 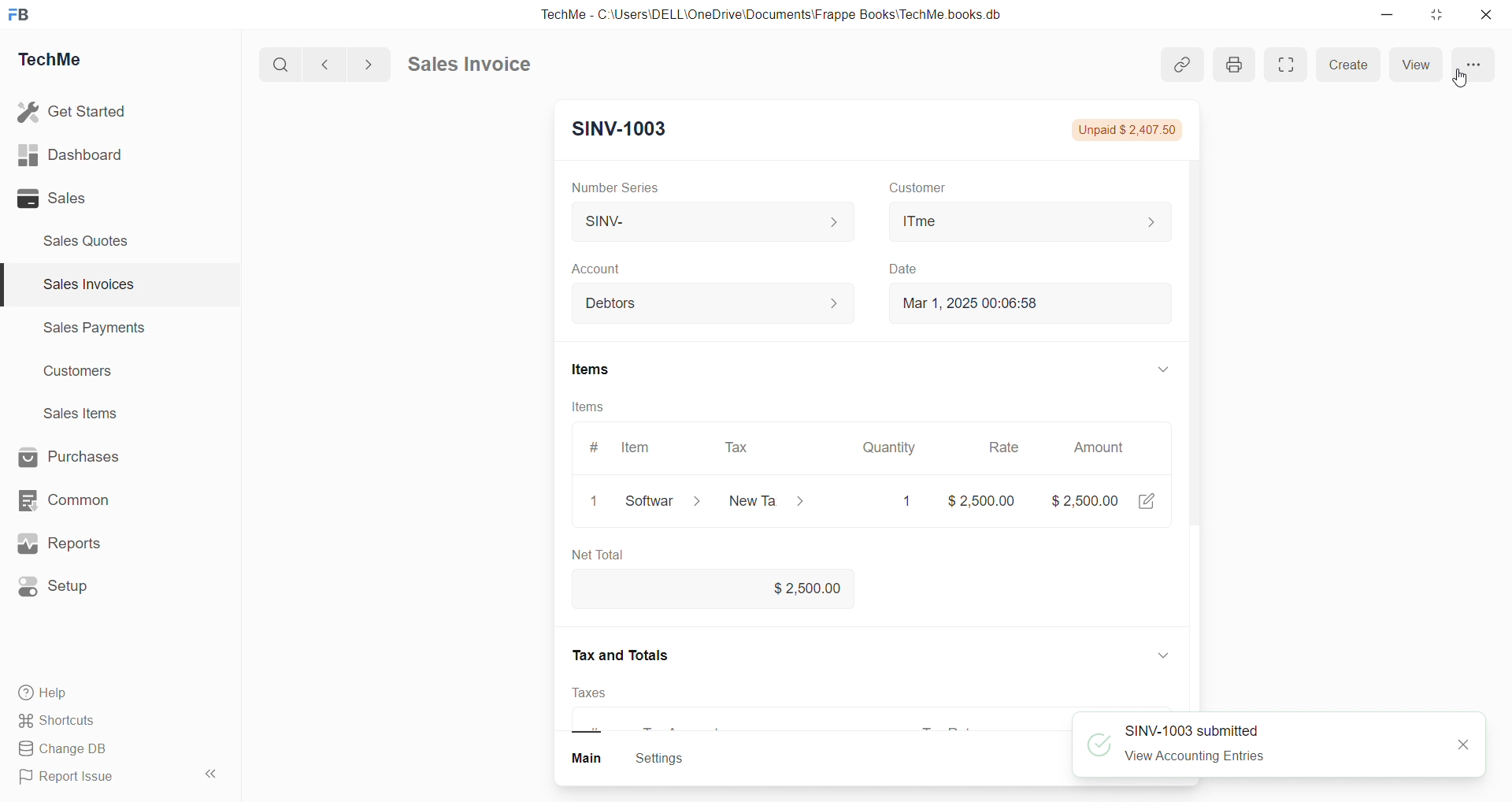 I want to click on  Shortcuts, so click(x=63, y=722).